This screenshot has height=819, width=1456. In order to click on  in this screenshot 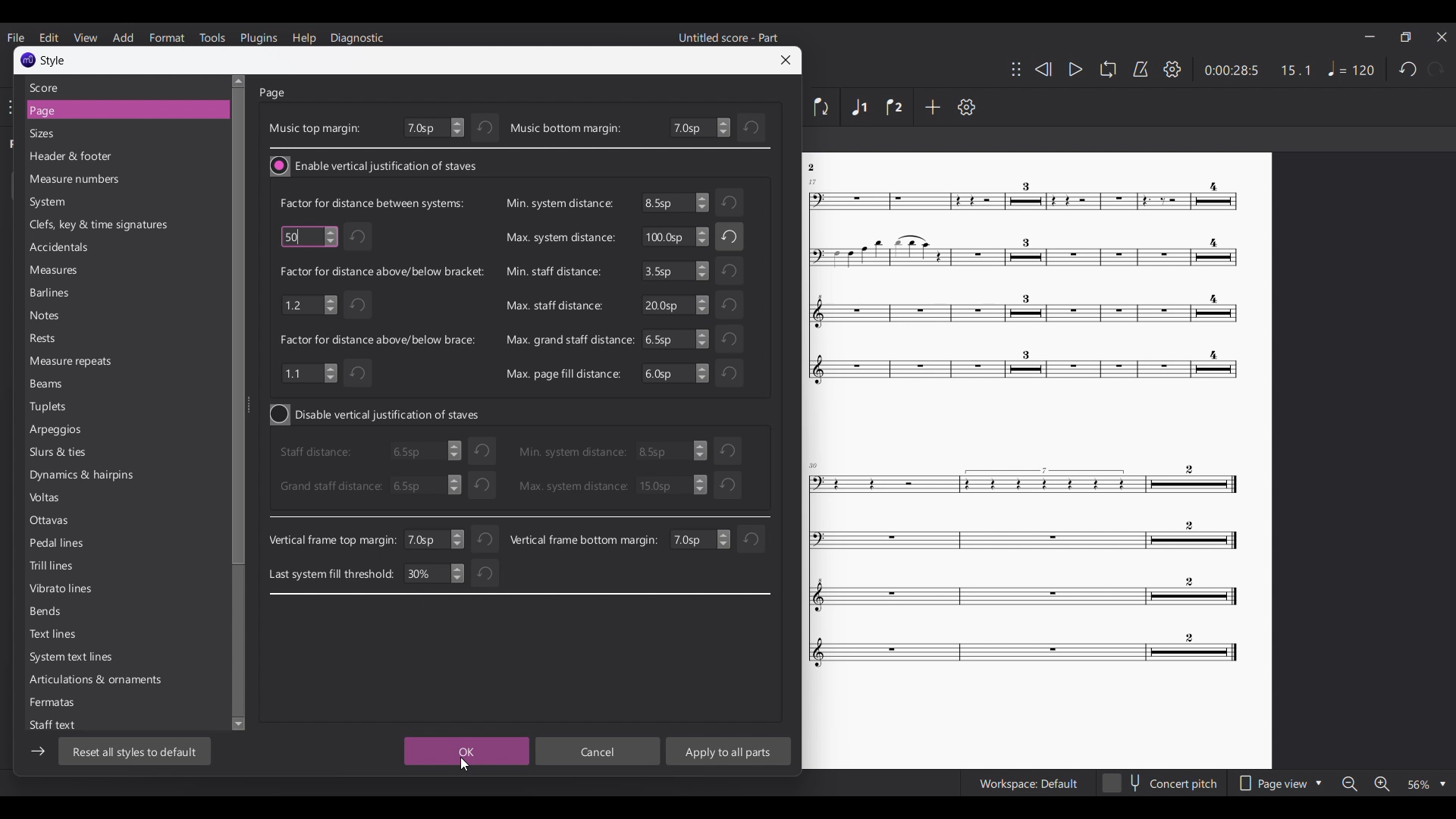, I will do `click(734, 337)`.